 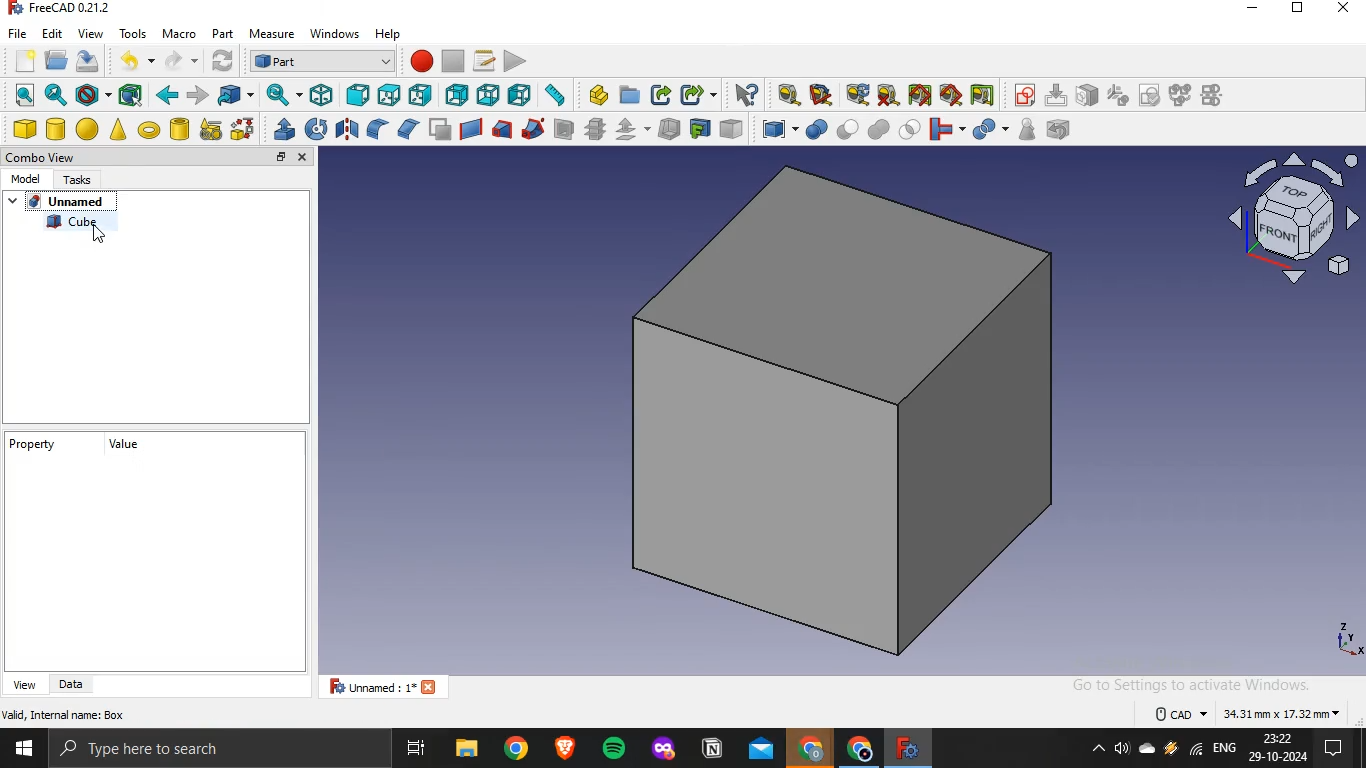 I want to click on value, so click(x=129, y=443).